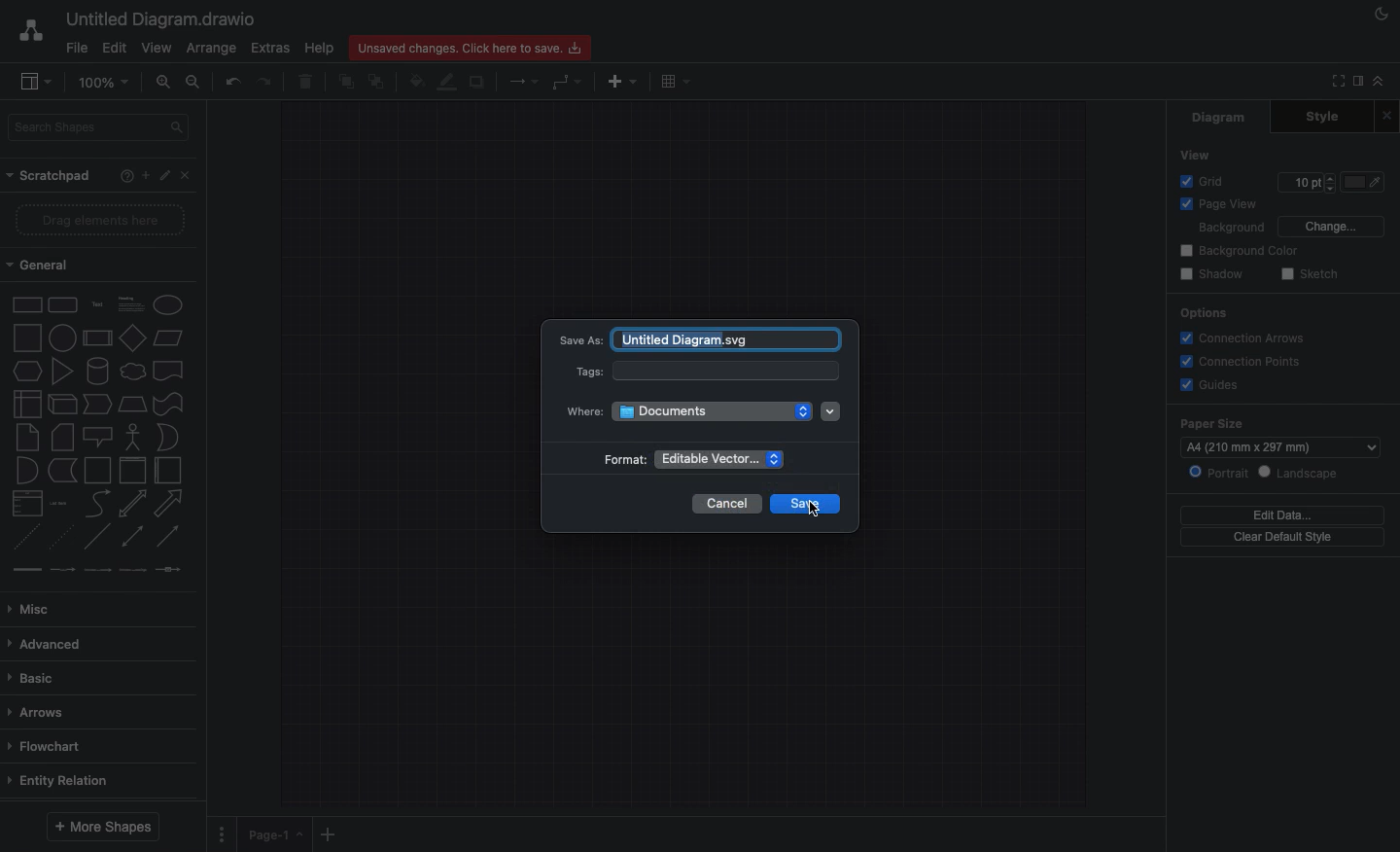  What do you see at coordinates (162, 83) in the screenshot?
I see `Zoom in` at bounding box center [162, 83].